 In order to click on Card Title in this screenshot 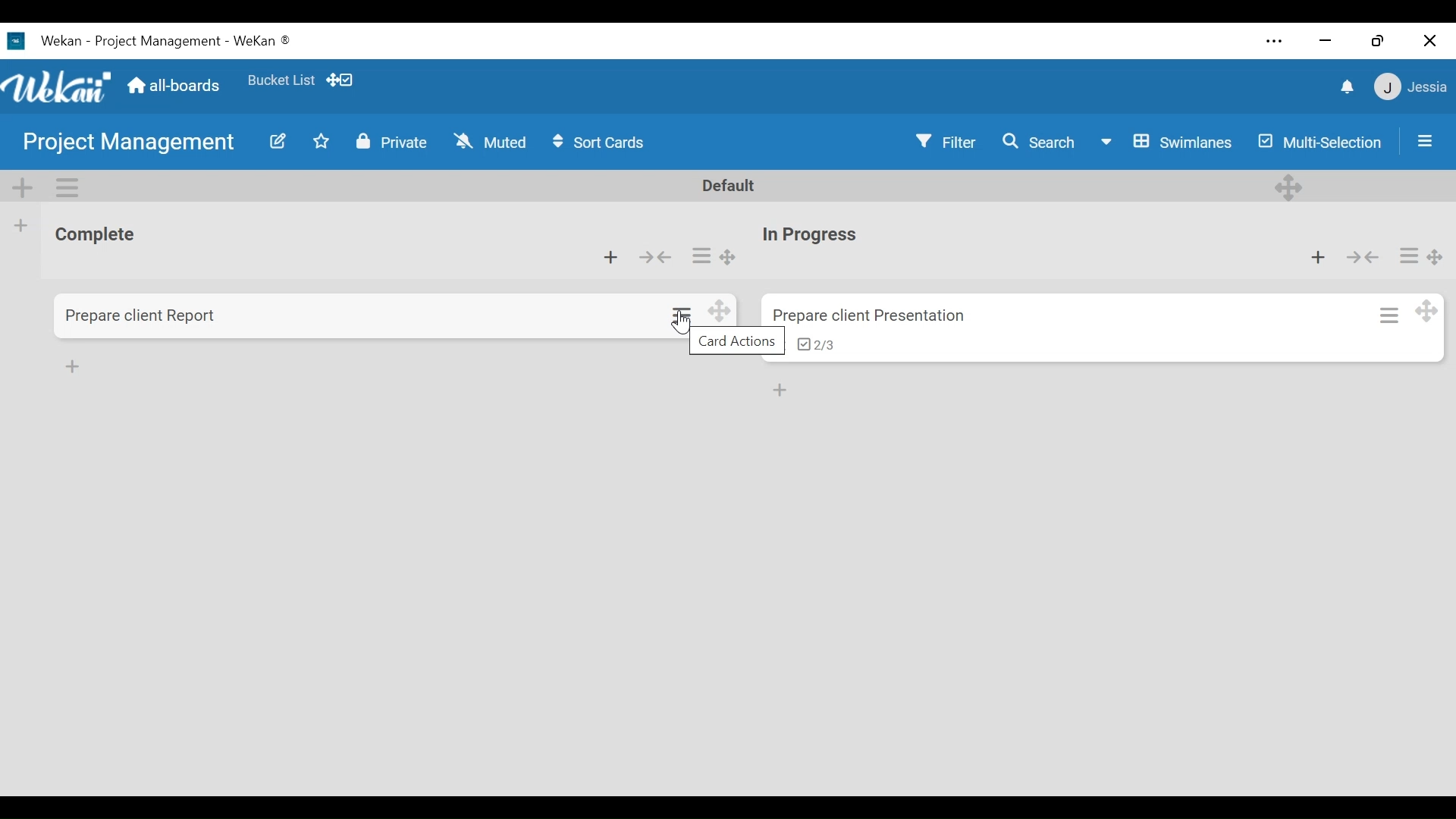, I will do `click(142, 315)`.